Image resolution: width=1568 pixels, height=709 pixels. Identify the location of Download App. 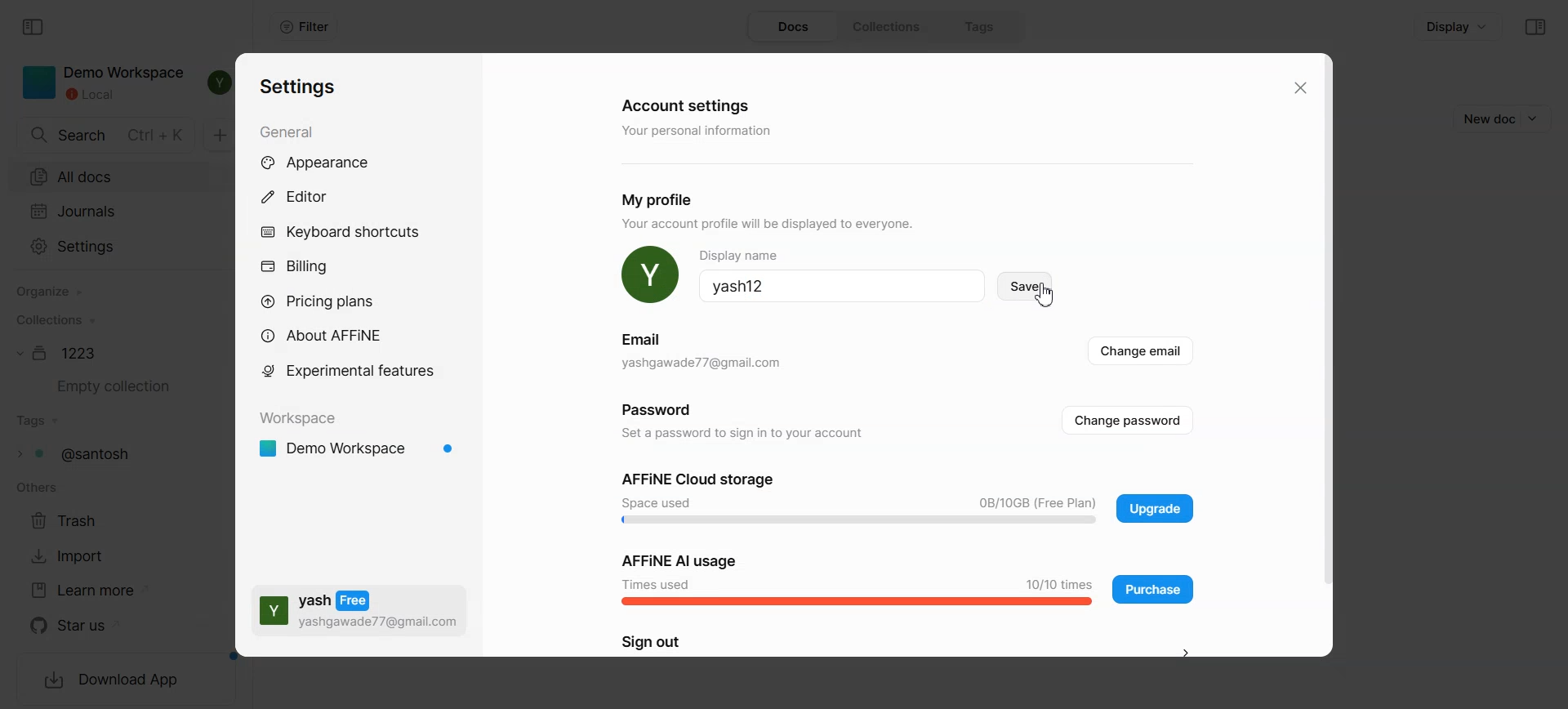
(113, 681).